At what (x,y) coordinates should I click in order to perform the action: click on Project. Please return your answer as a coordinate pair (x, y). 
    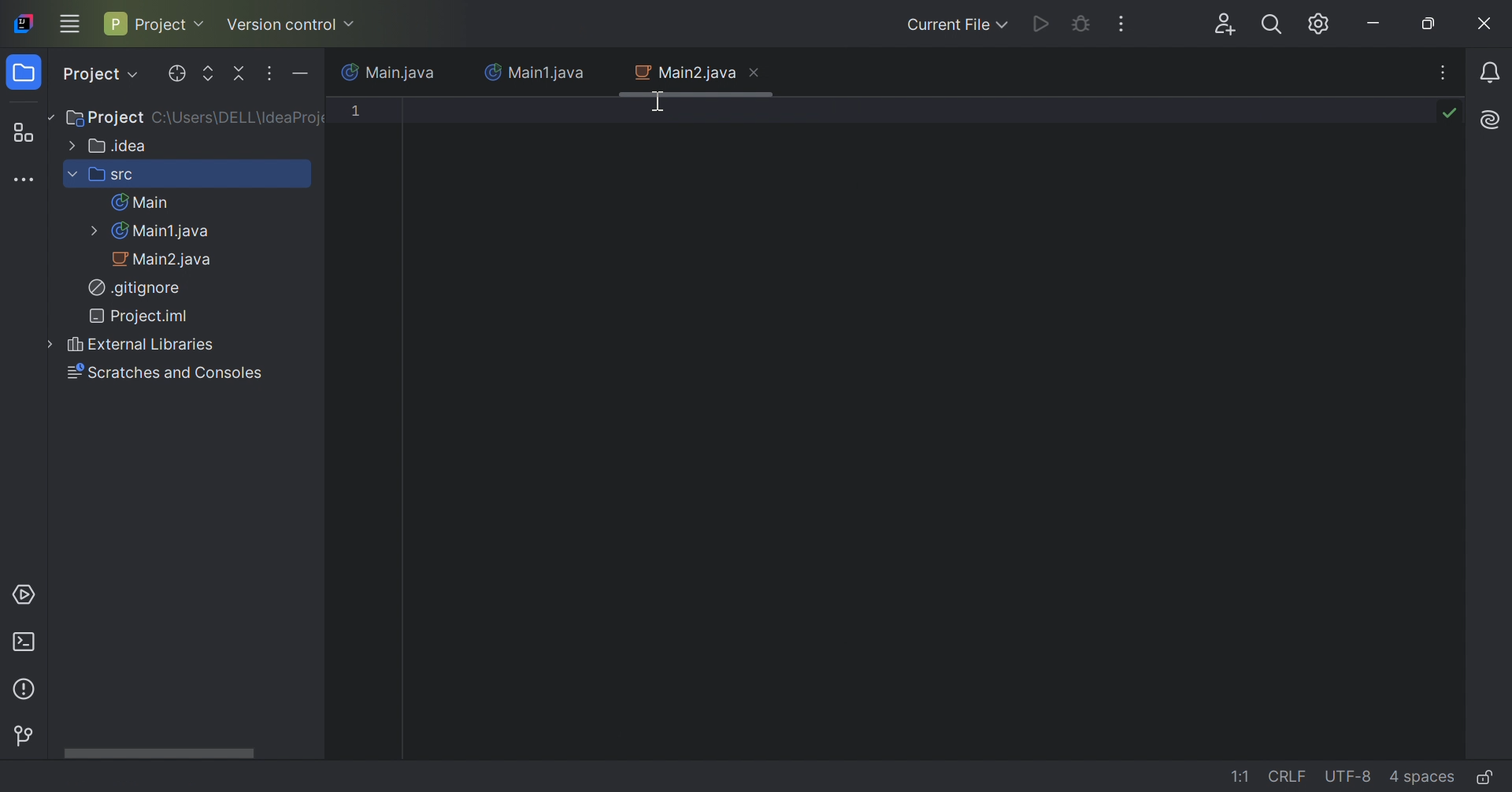
    Looking at the image, I should click on (28, 73).